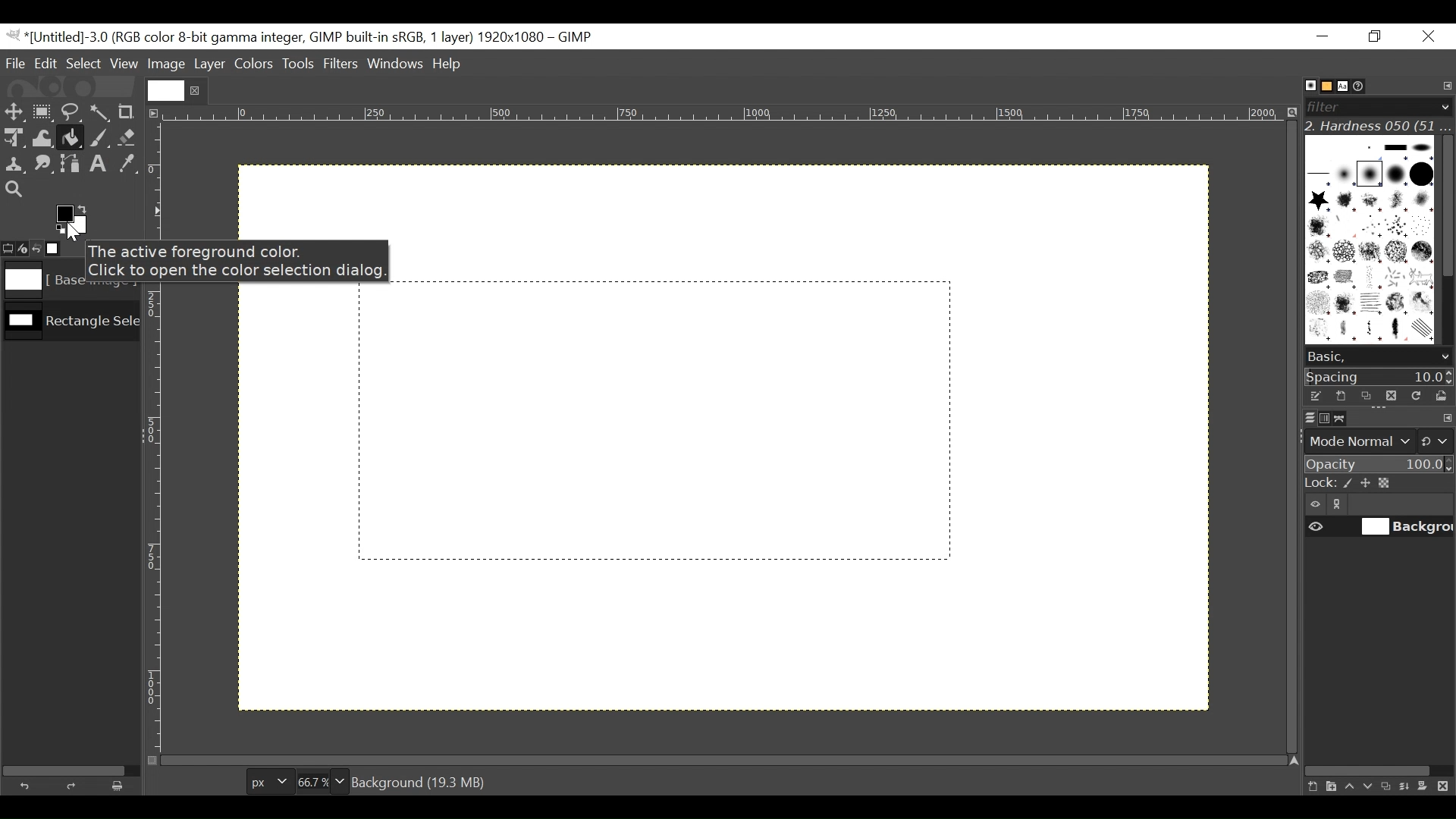 This screenshot has height=819, width=1456. I want to click on Text tool, so click(101, 165).